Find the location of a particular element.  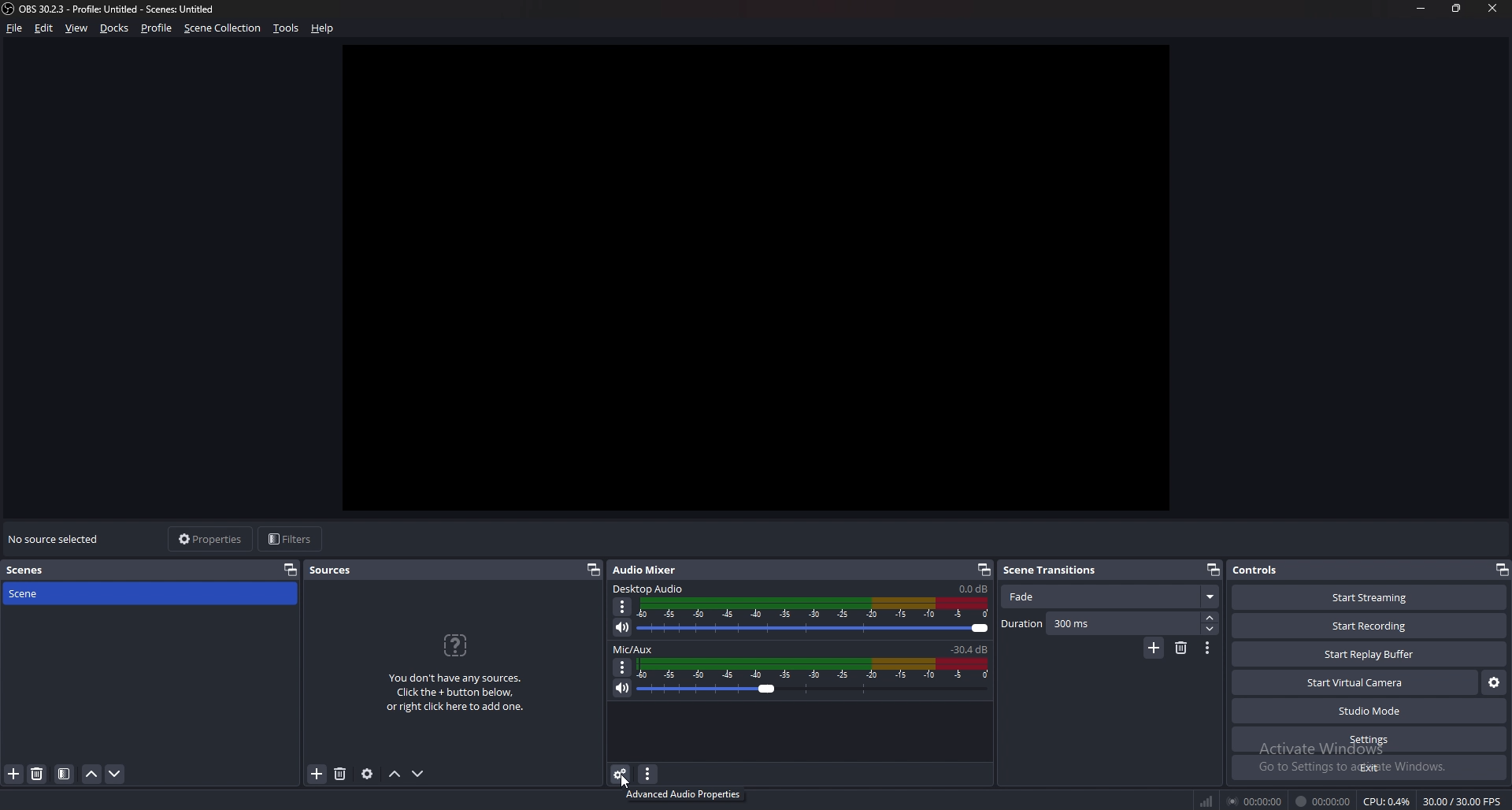

configure virtual camera is located at coordinates (1492, 683).